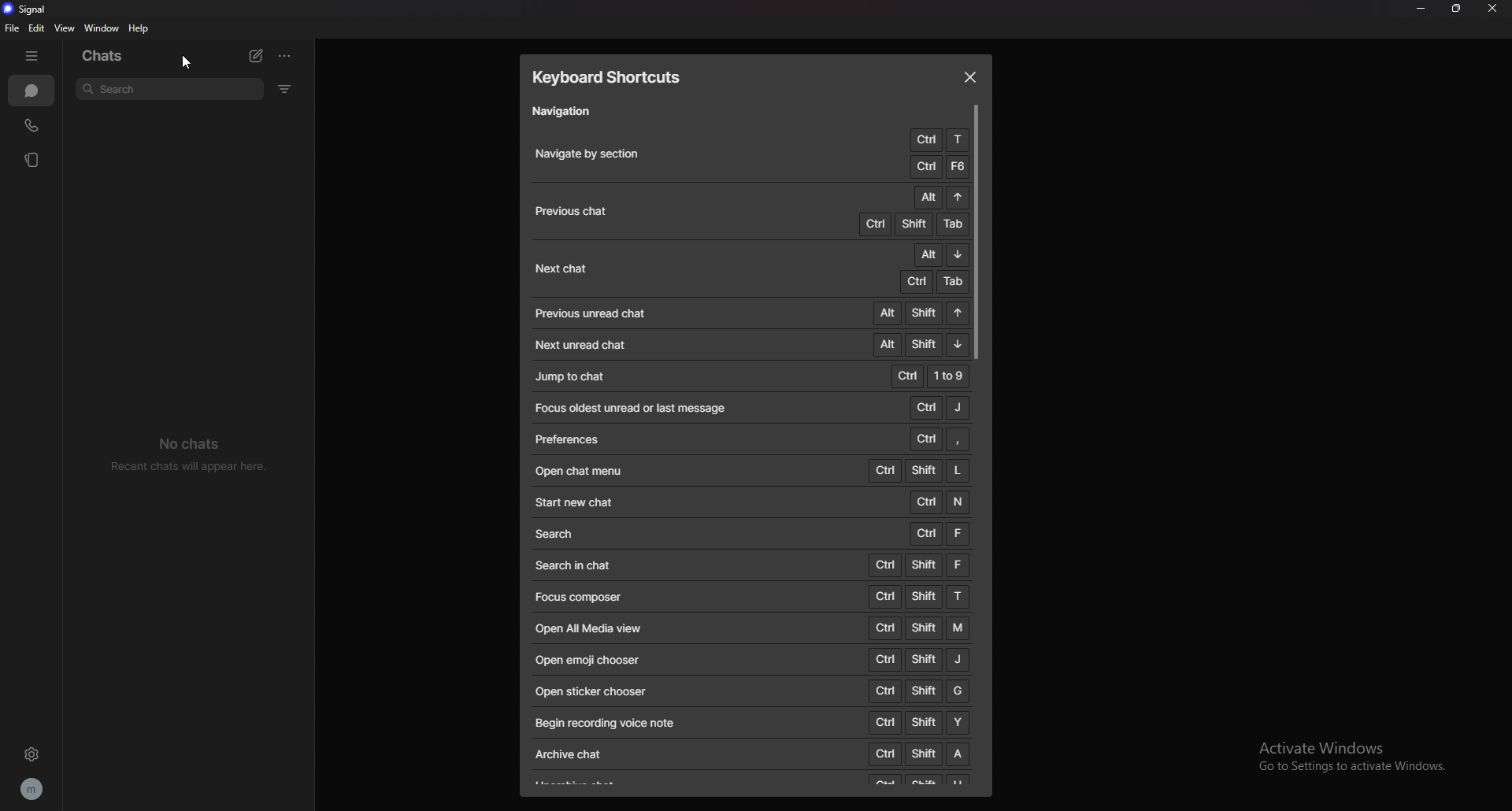 The image size is (1512, 811). I want to click on CTRL + SHIFT + TAB, so click(909, 224).